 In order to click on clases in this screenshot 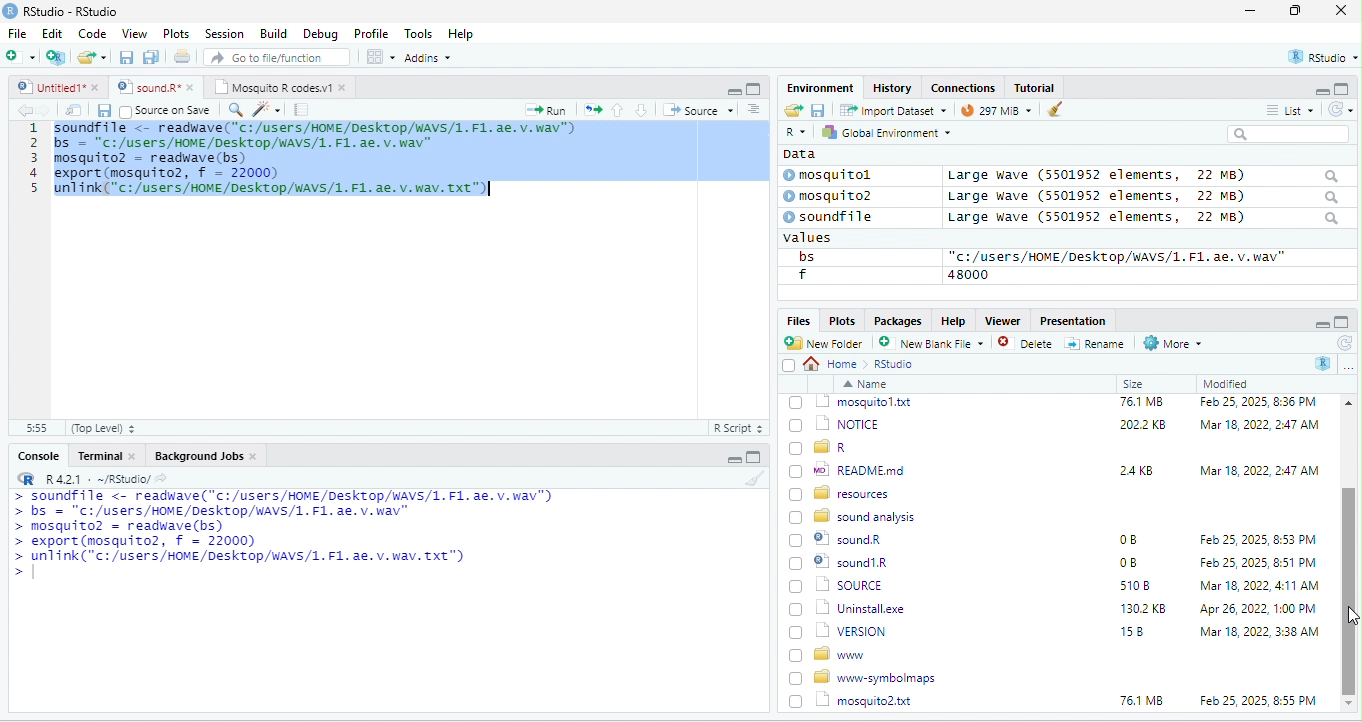, I will do `click(965, 86)`.